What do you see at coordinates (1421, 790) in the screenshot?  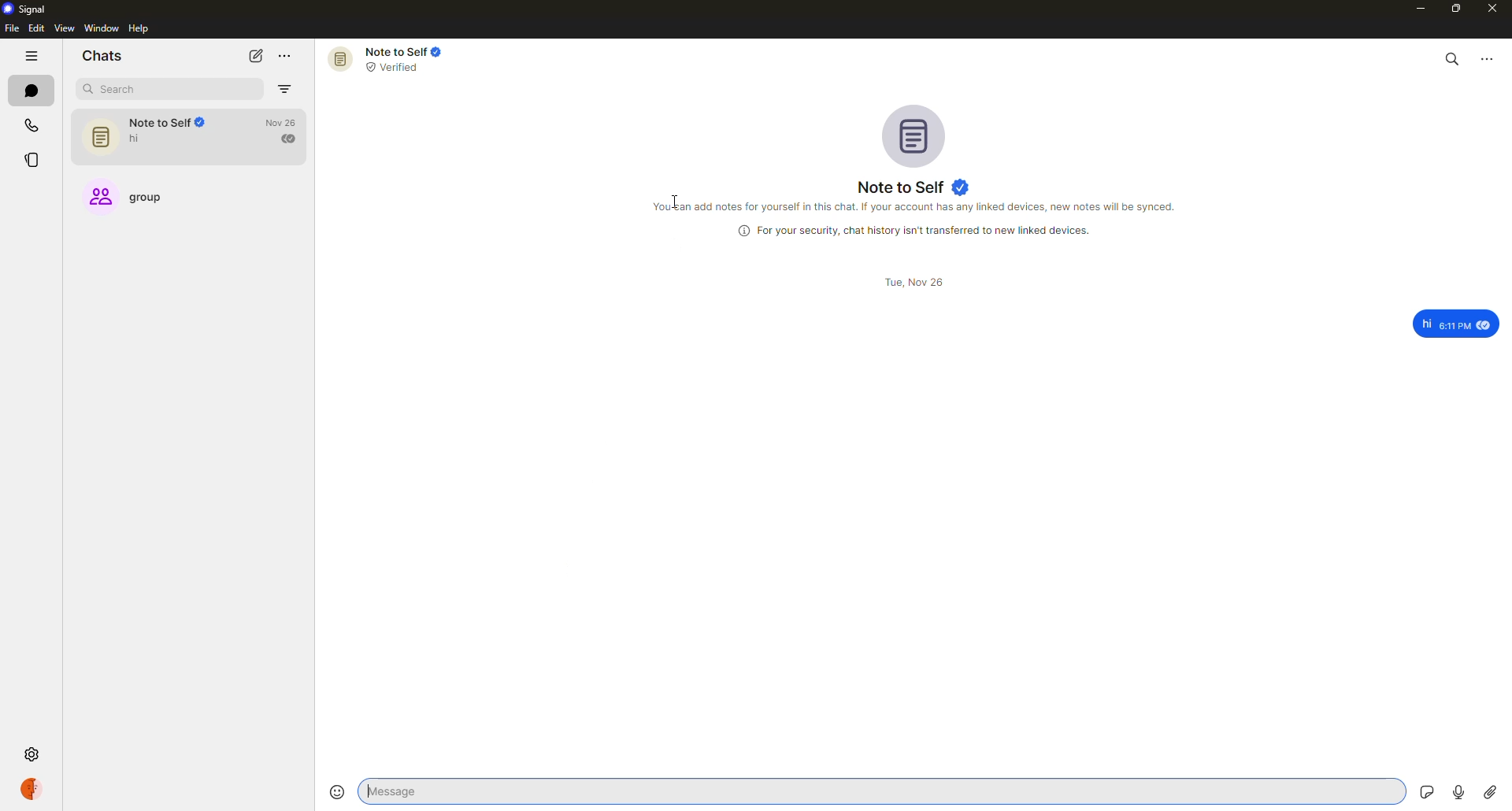 I see `stickers` at bounding box center [1421, 790].